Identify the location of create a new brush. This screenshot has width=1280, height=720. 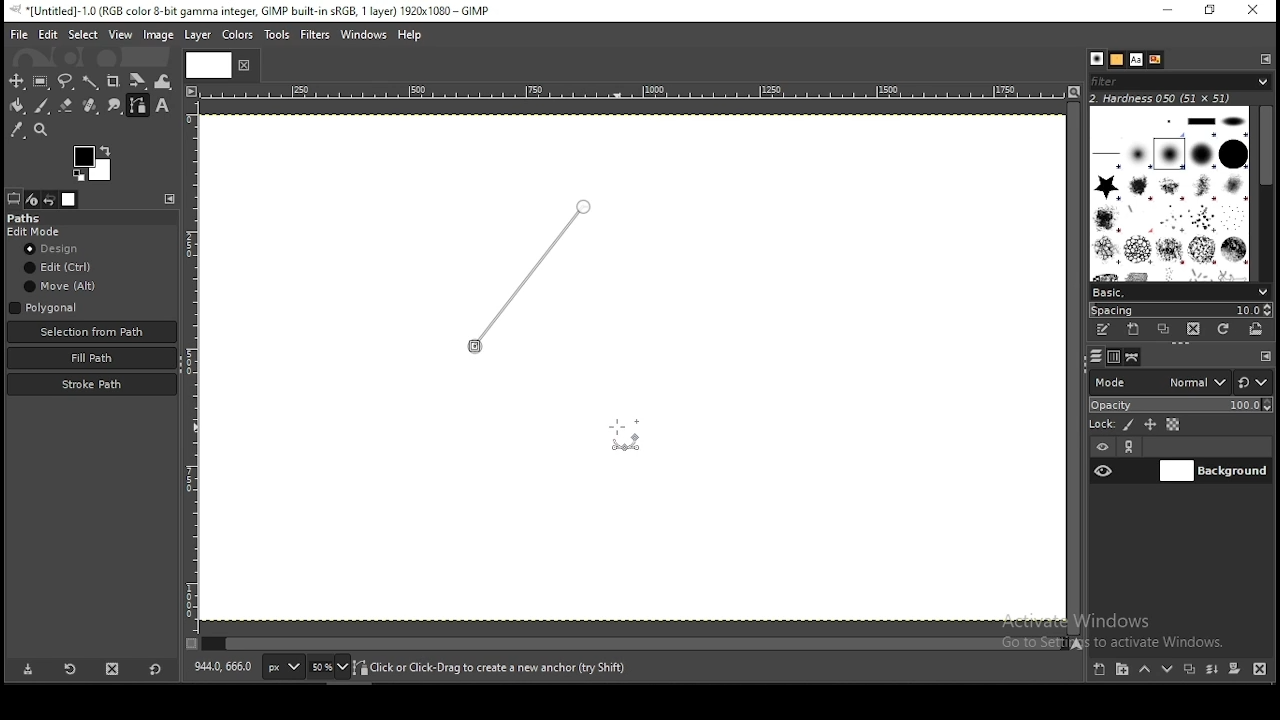
(1135, 329).